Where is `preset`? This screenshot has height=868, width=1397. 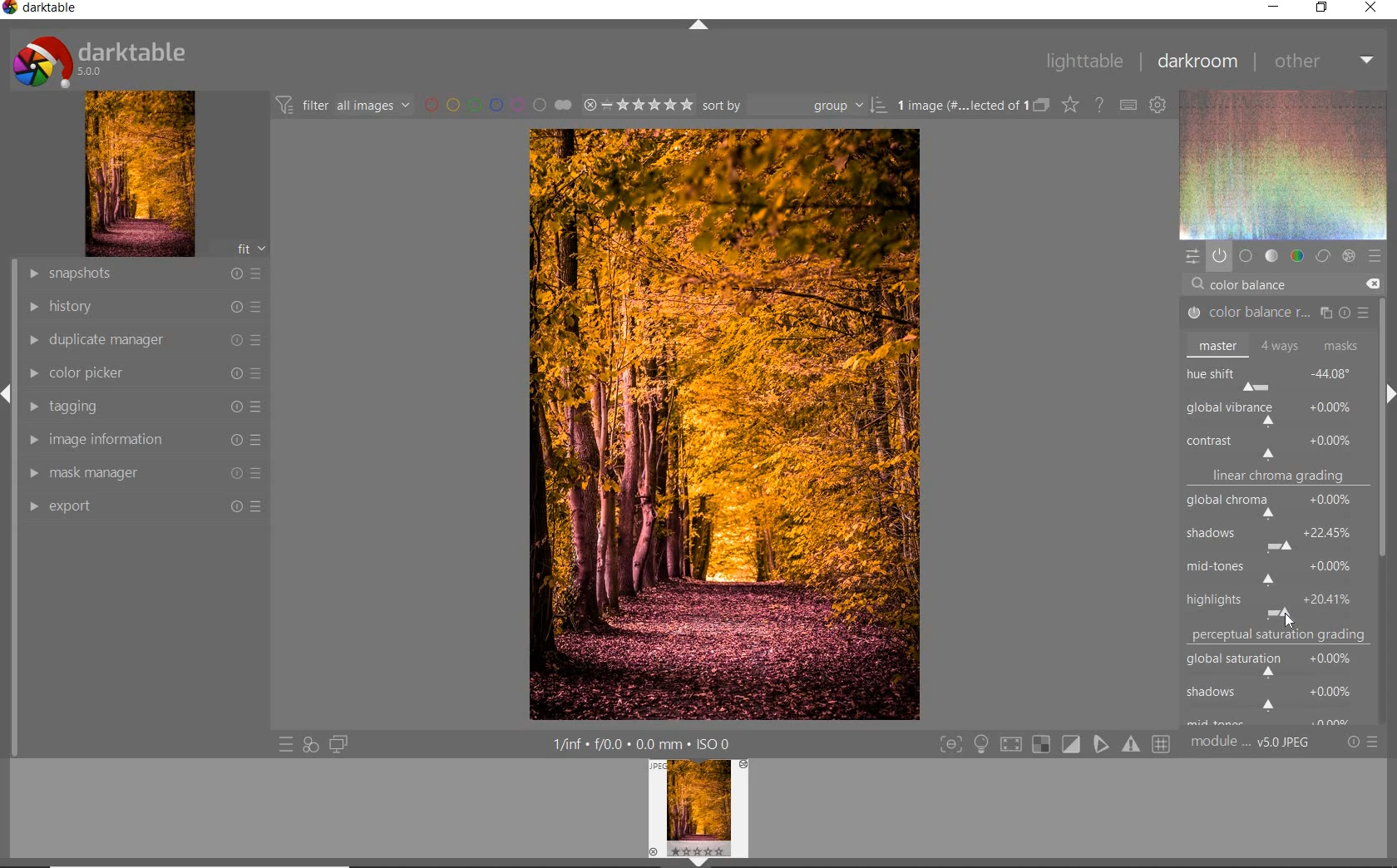
preset is located at coordinates (1374, 255).